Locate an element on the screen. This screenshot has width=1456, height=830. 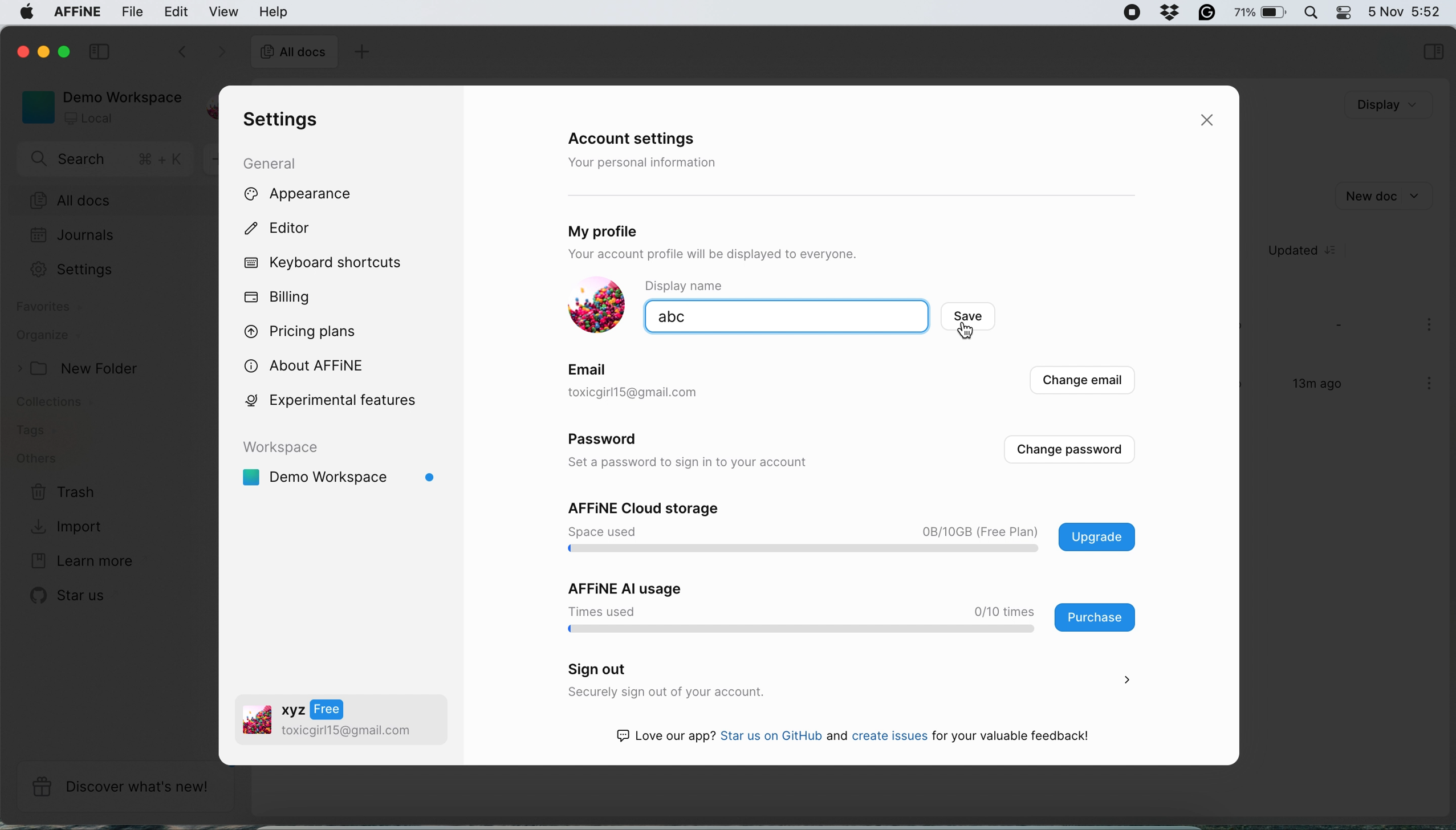
affine is located at coordinates (75, 14).